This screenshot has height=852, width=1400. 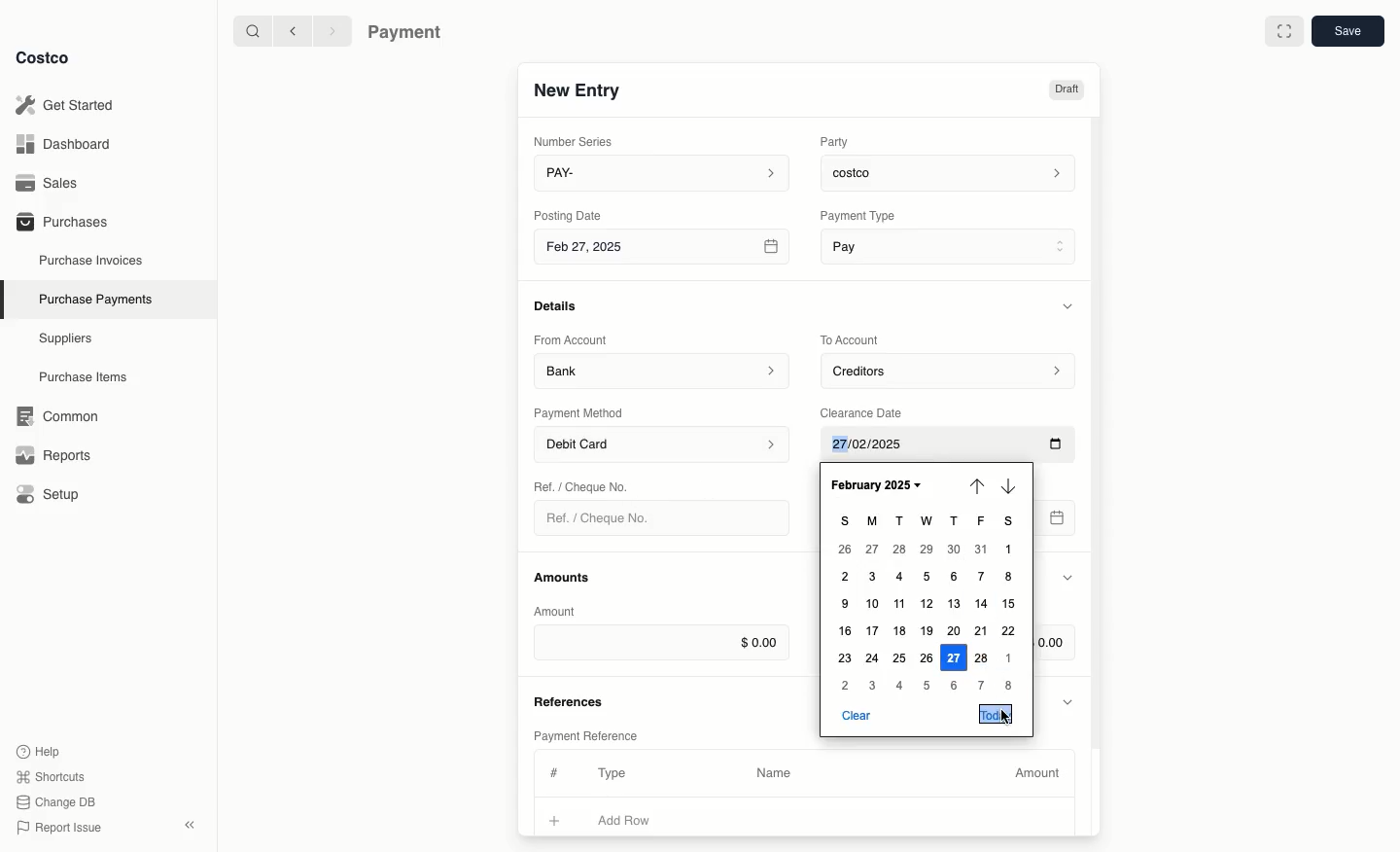 What do you see at coordinates (578, 89) in the screenshot?
I see `New Entry` at bounding box center [578, 89].